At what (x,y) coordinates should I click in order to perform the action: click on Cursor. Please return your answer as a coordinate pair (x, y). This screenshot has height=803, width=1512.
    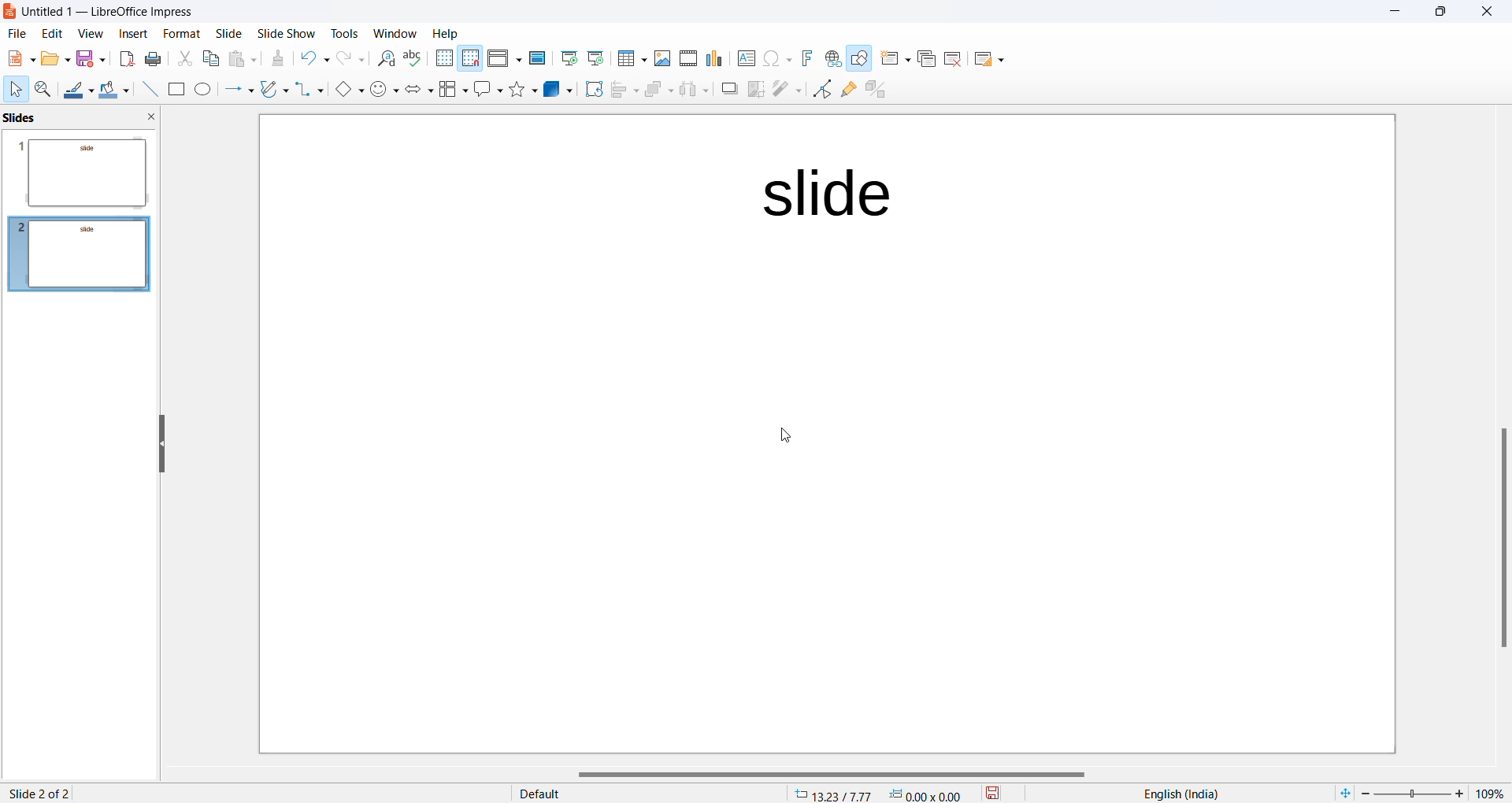
    Looking at the image, I should click on (16, 89).